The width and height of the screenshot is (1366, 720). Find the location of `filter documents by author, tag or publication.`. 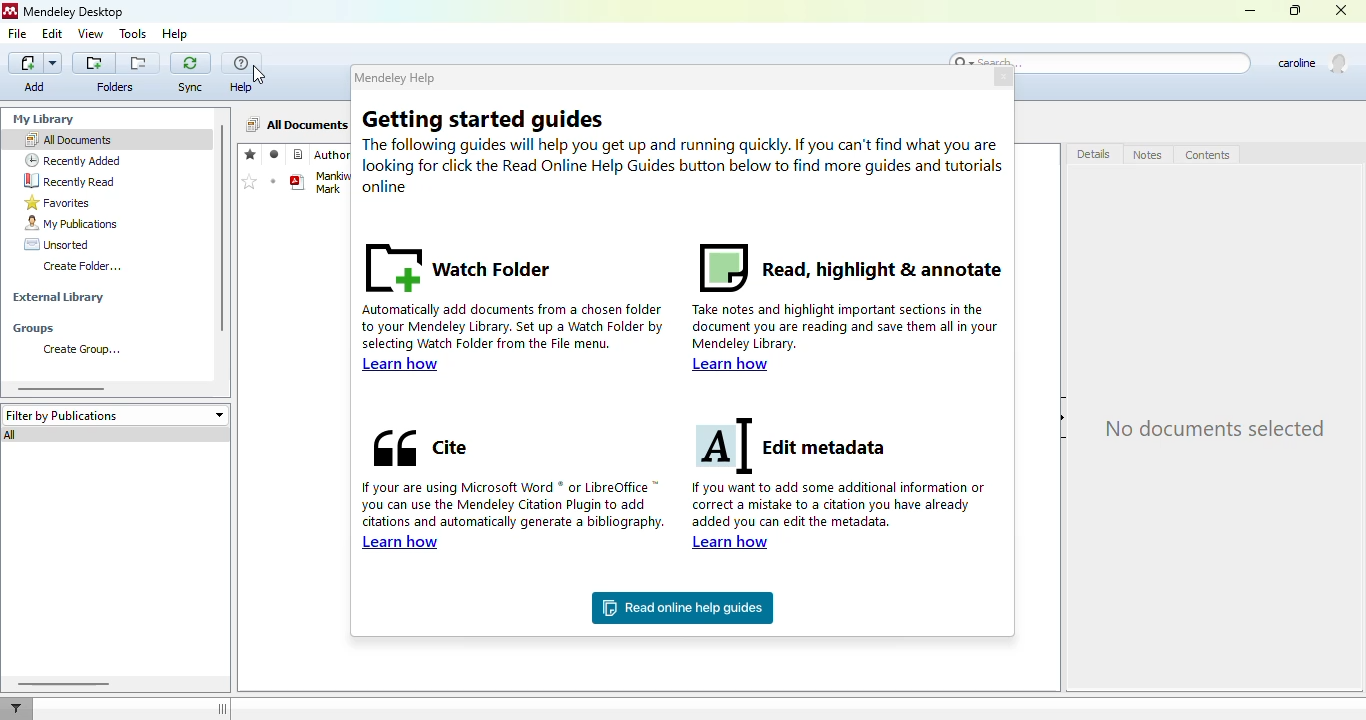

filter documents by author, tag or publication. is located at coordinates (17, 708).